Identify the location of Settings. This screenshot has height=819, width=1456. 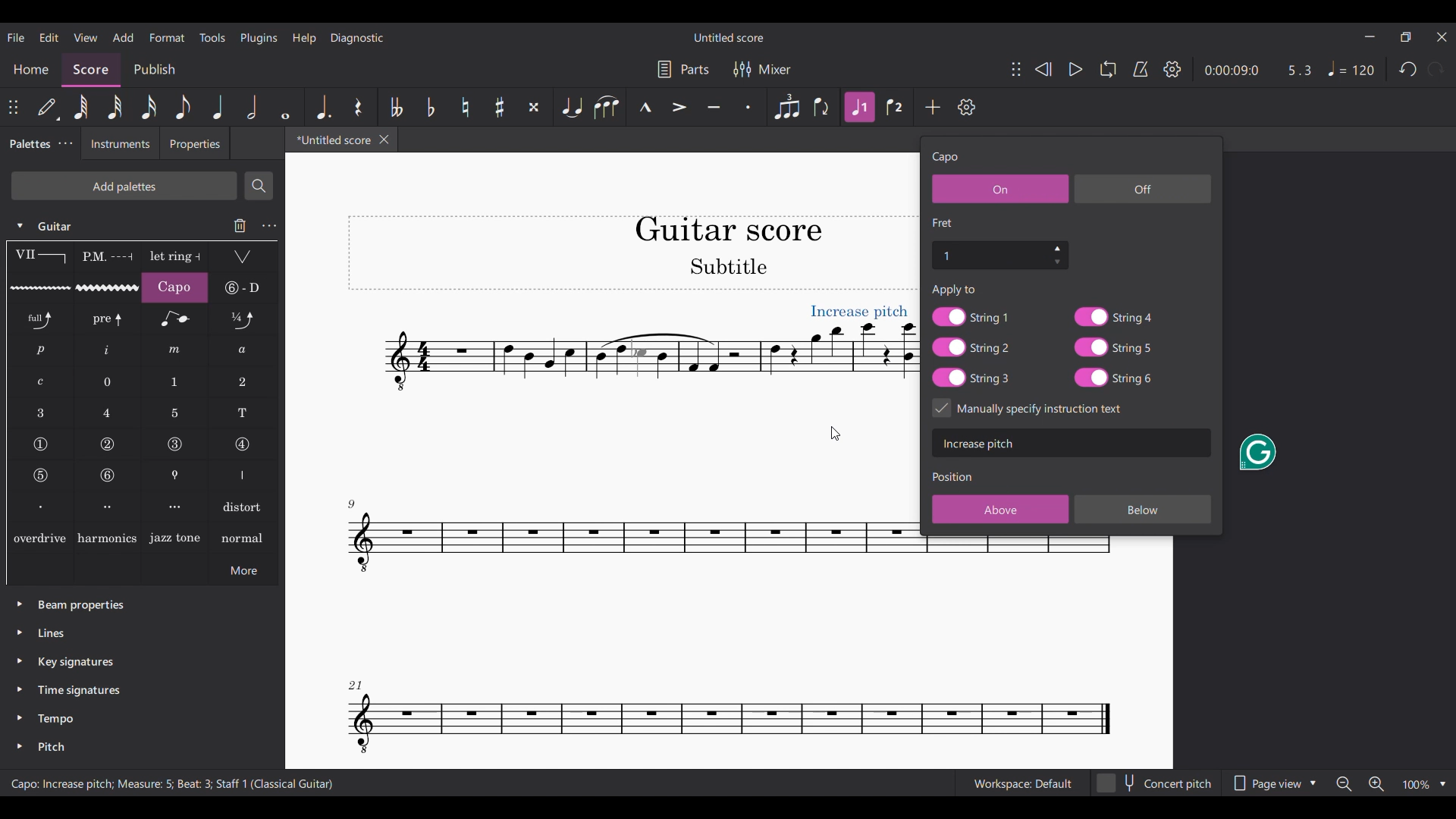
(967, 107).